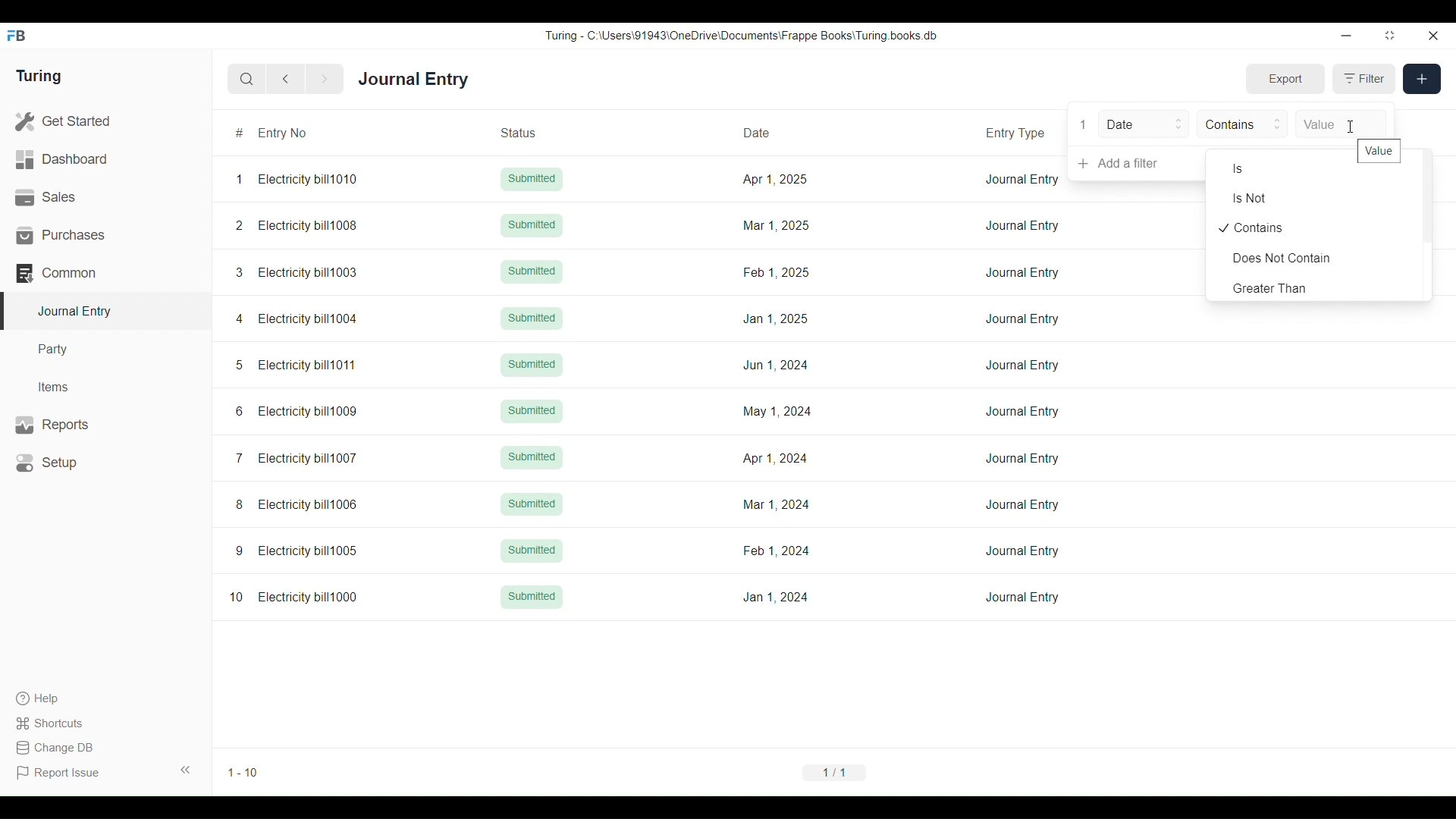 The image size is (1456, 819). Describe the element at coordinates (296, 458) in the screenshot. I see `7 Electricity bill1007` at that location.